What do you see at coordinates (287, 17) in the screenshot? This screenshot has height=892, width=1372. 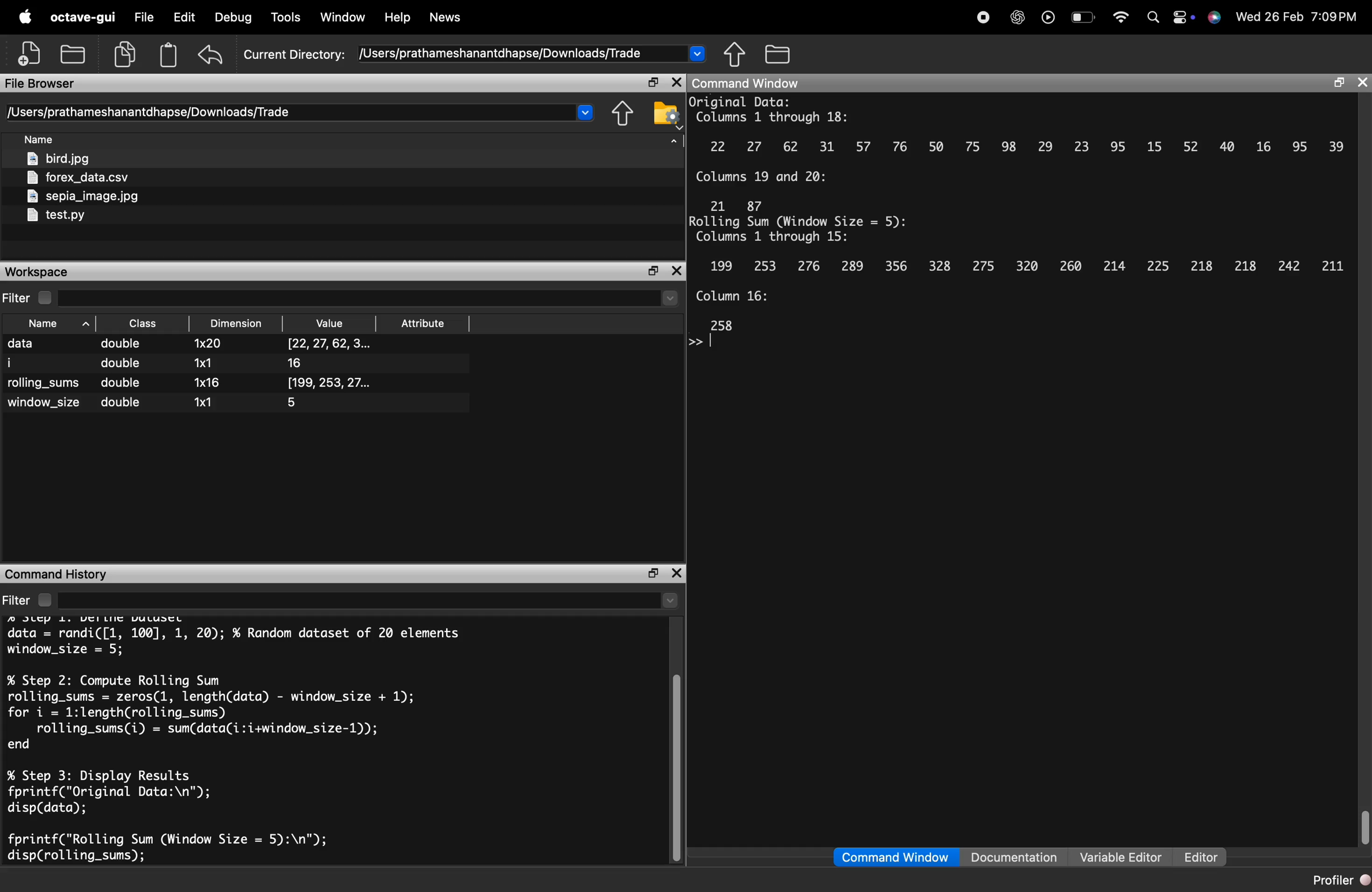 I see `tools` at bounding box center [287, 17].